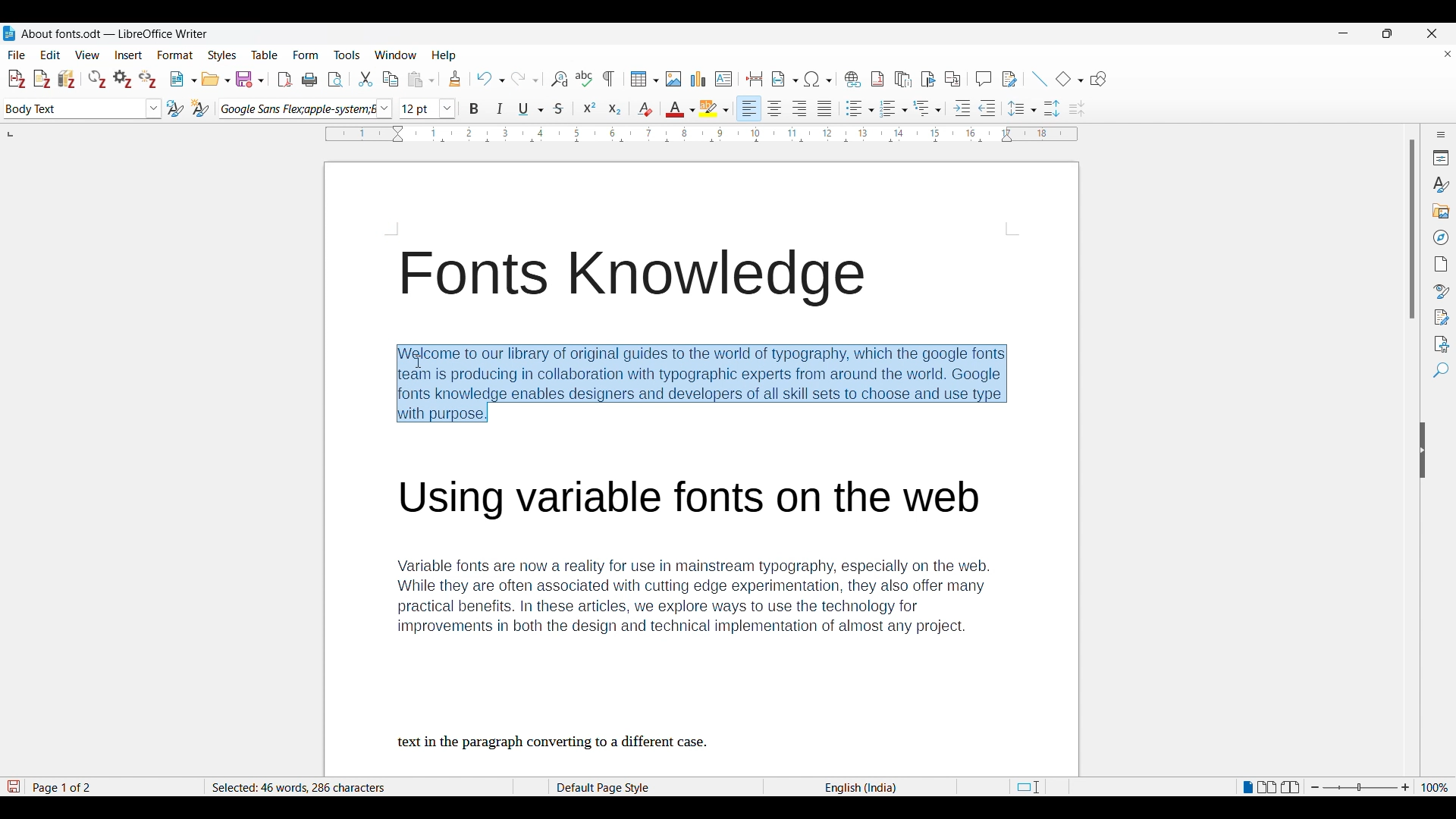 This screenshot has width=1456, height=819. I want to click on Insert chart, so click(698, 79).